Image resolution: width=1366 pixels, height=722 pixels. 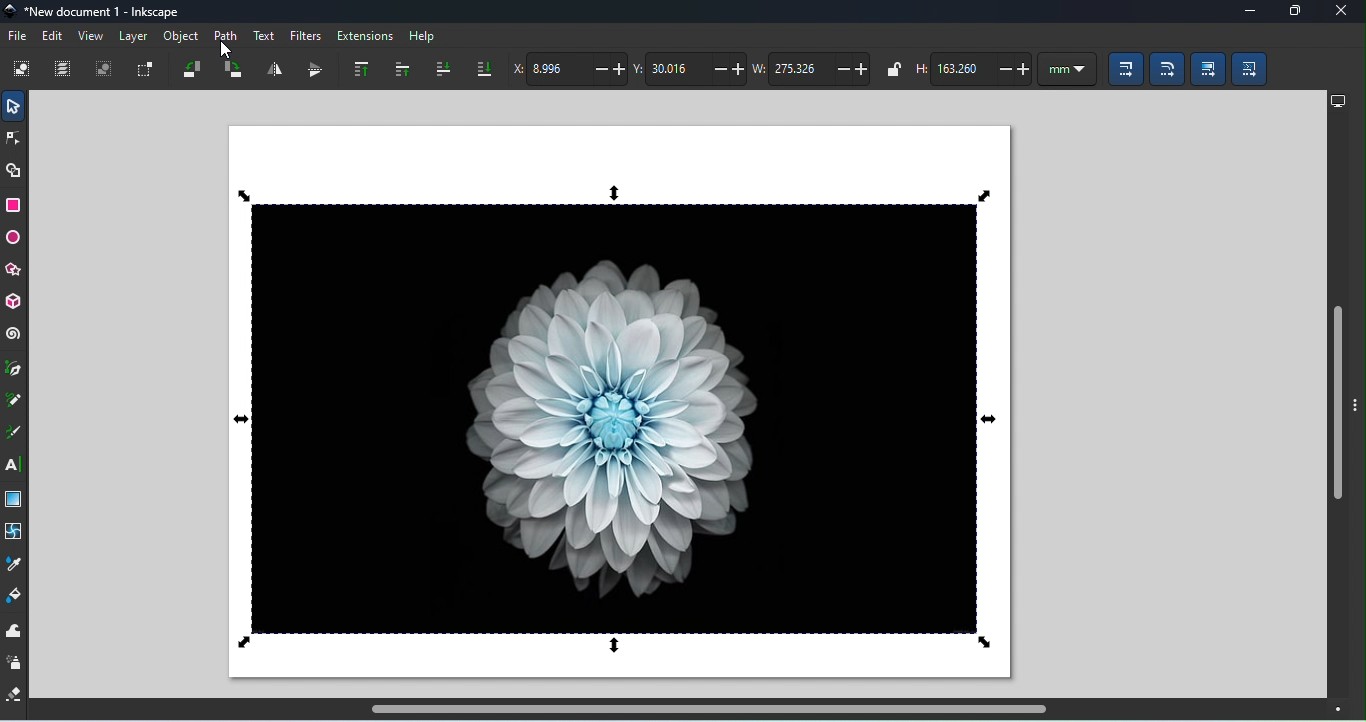 I want to click on Minimize, so click(x=1244, y=13).